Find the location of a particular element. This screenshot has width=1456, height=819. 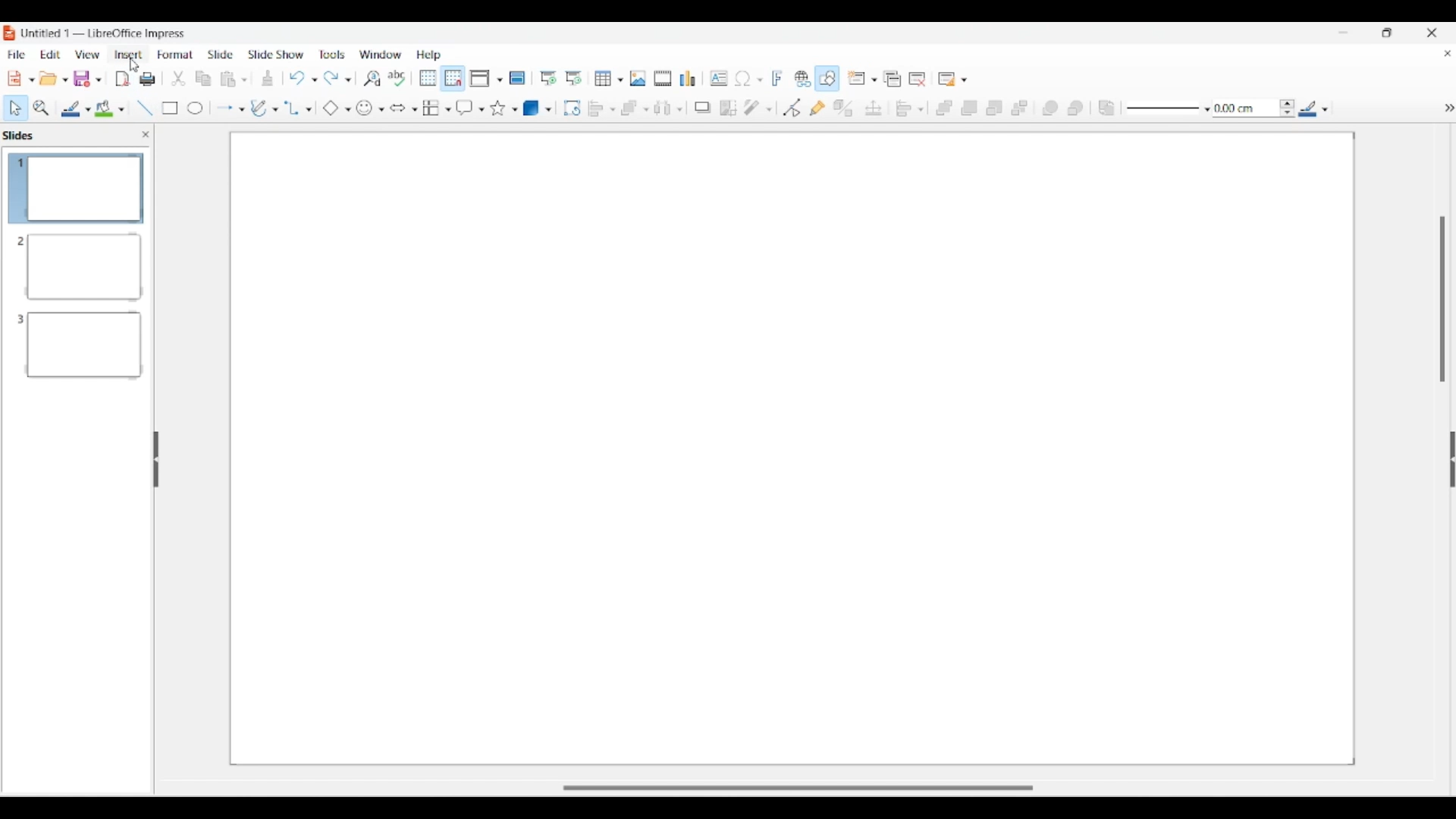

Reverse is located at coordinates (1107, 108).